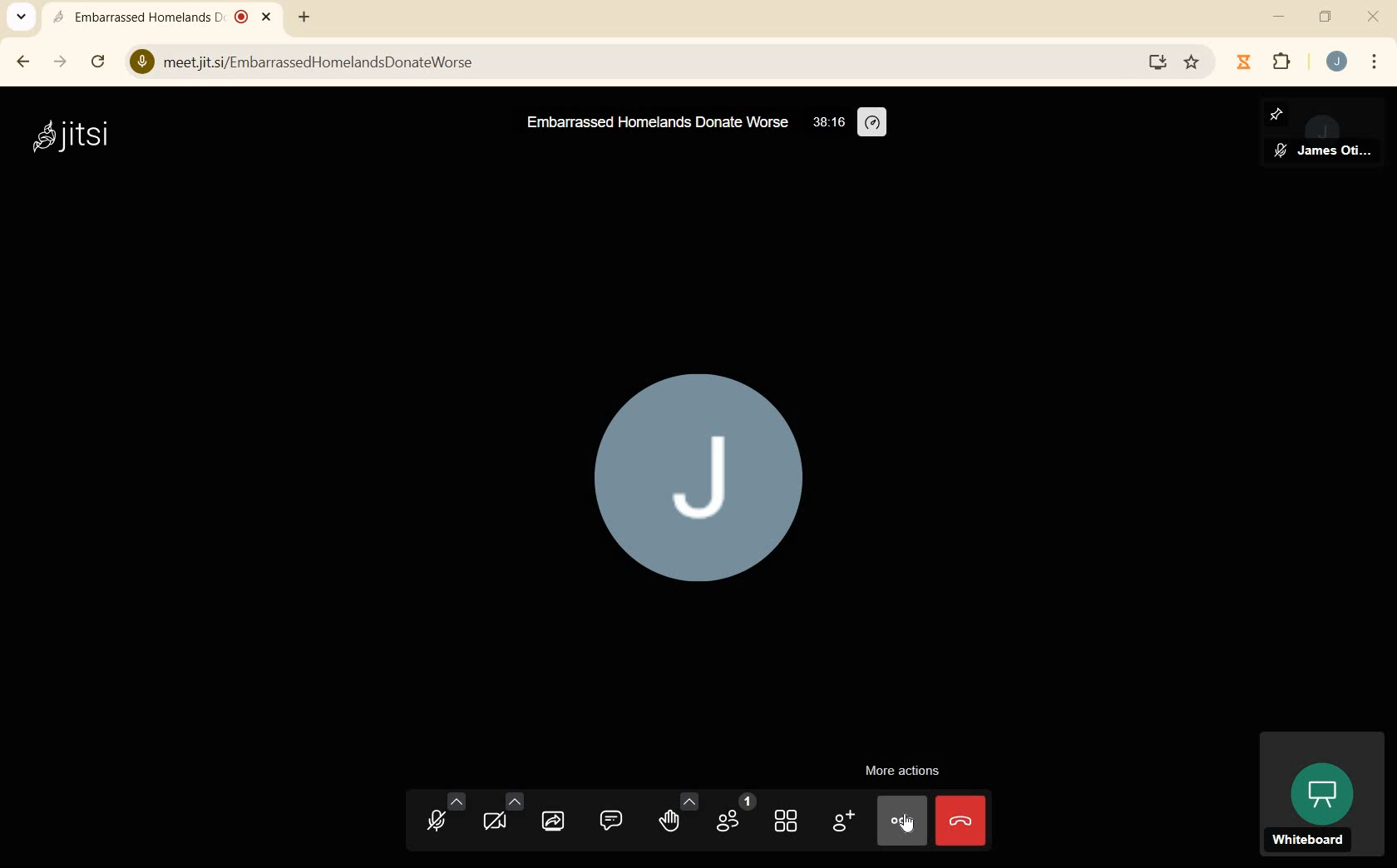 The image size is (1397, 868). I want to click on pinned screen, so click(1323, 133).